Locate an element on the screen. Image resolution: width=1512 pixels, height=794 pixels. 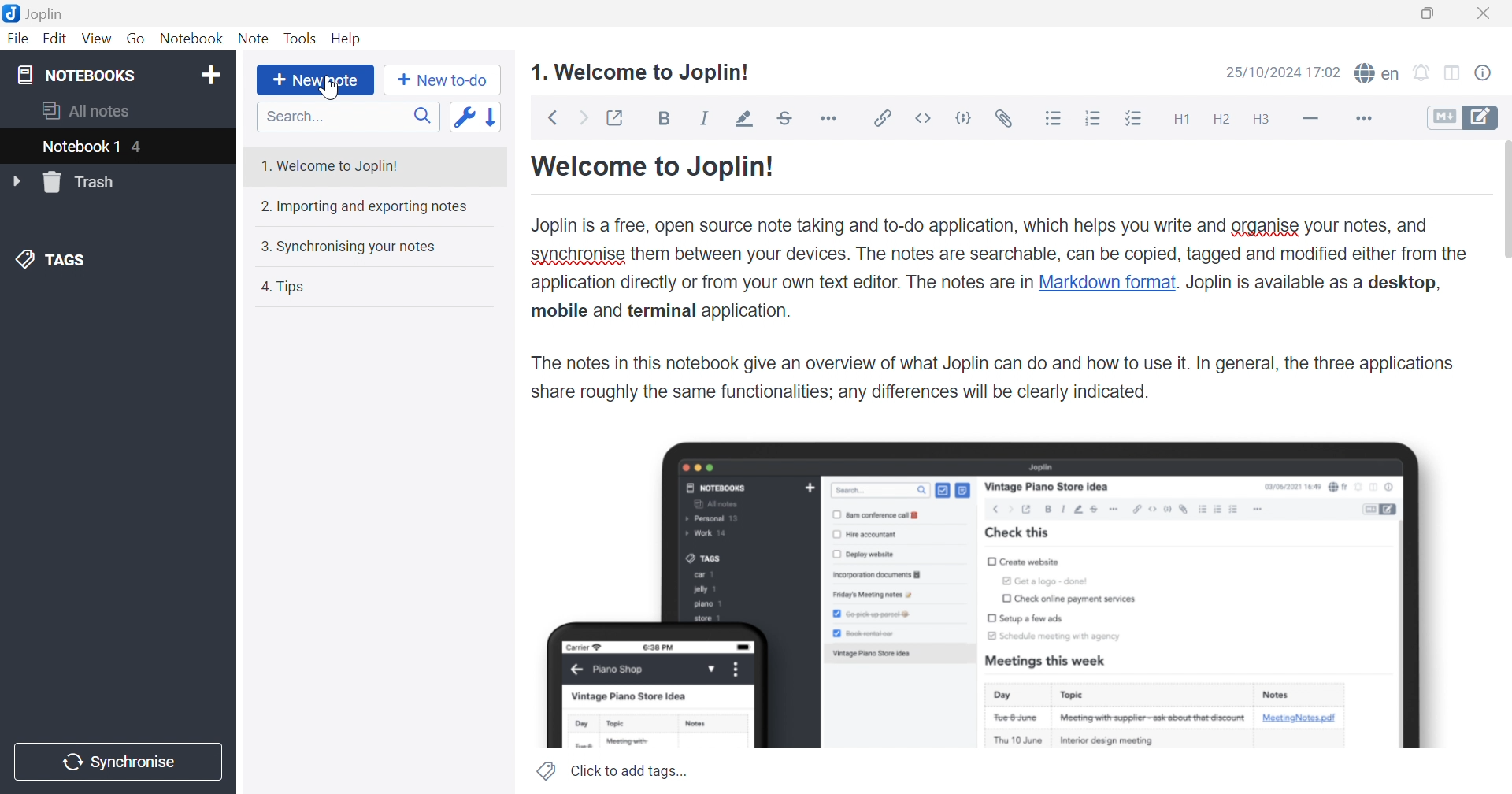
Bold is located at coordinates (668, 120).